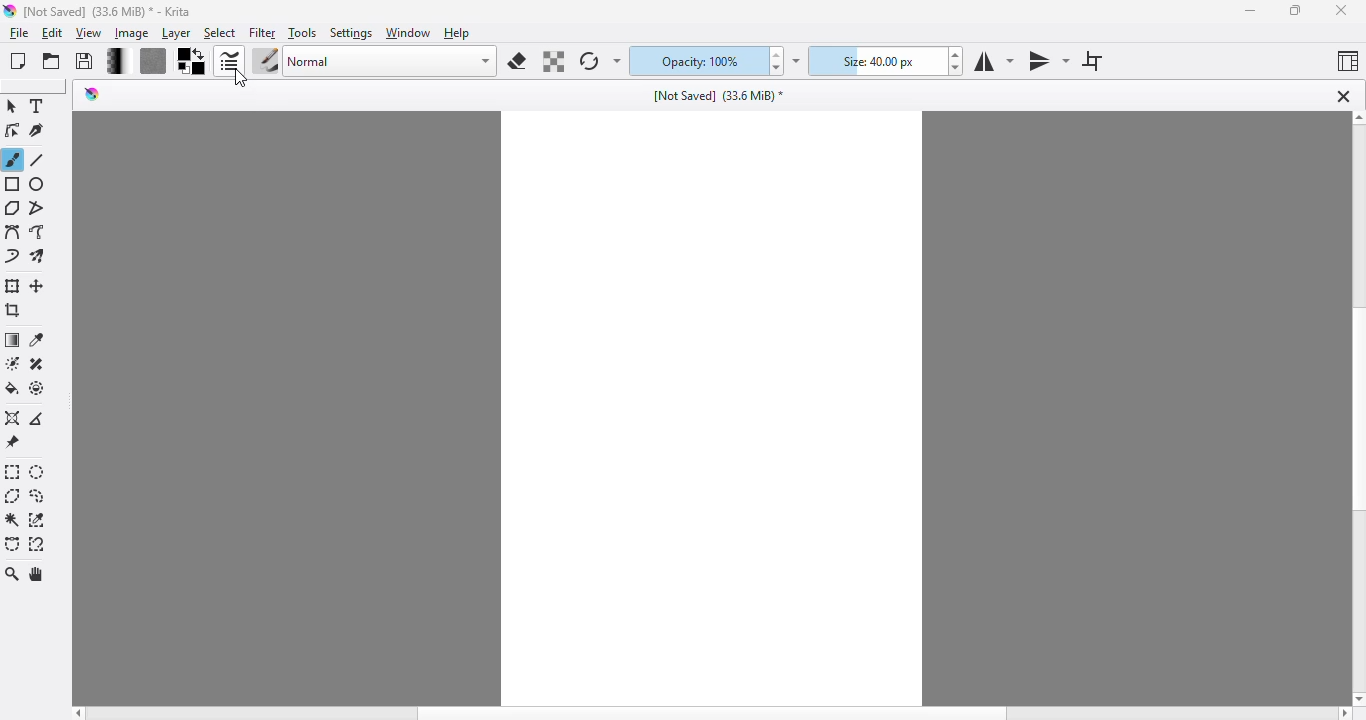 Image resolution: width=1366 pixels, height=720 pixels. What do you see at coordinates (40, 207) in the screenshot?
I see `polyline tool` at bounding box center [40, 207].